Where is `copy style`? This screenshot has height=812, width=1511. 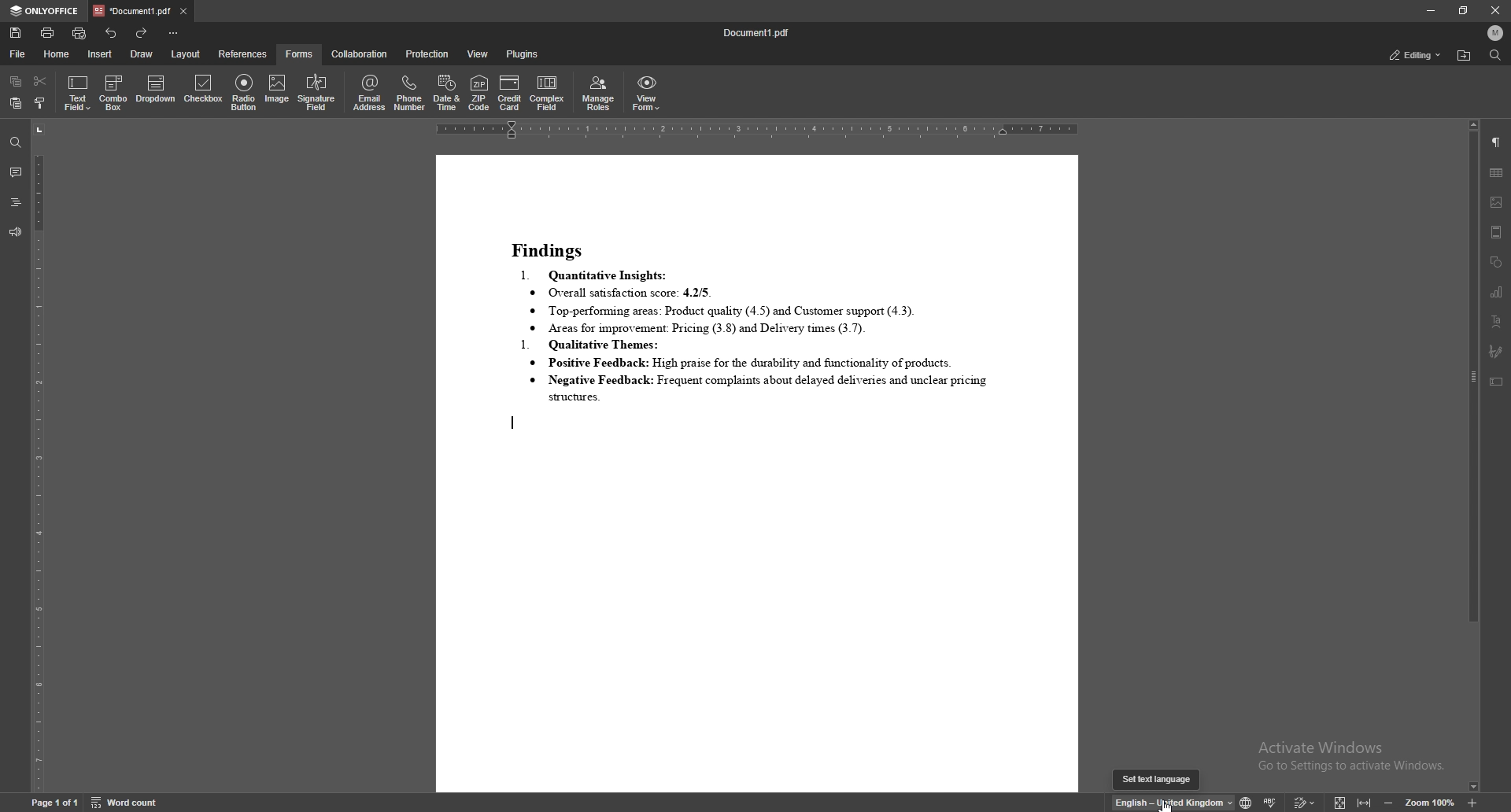 copy style is located at coordinates (39, 104).